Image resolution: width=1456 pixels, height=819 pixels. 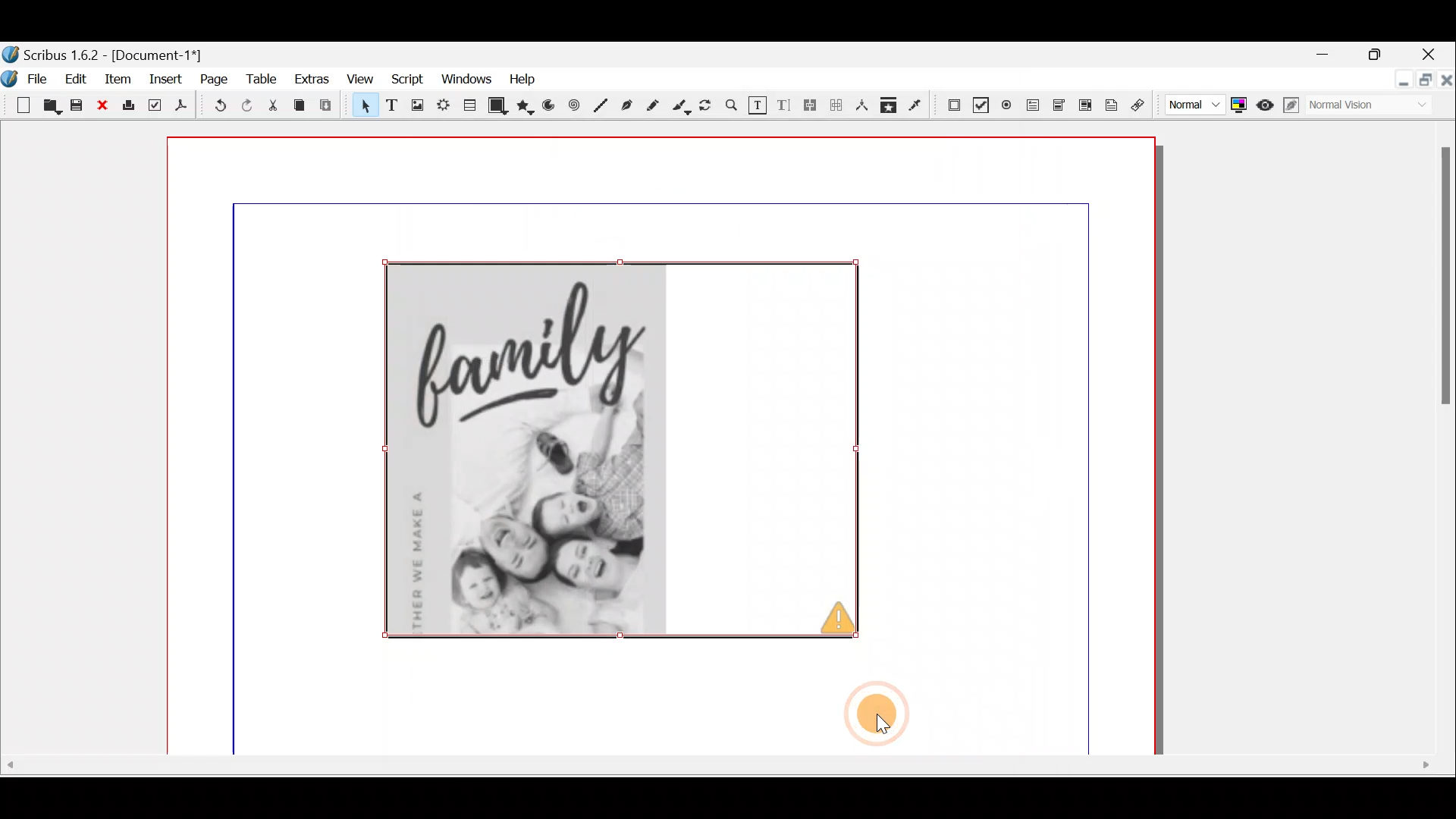 I want to click on Undo, so click(x=213, y=106).